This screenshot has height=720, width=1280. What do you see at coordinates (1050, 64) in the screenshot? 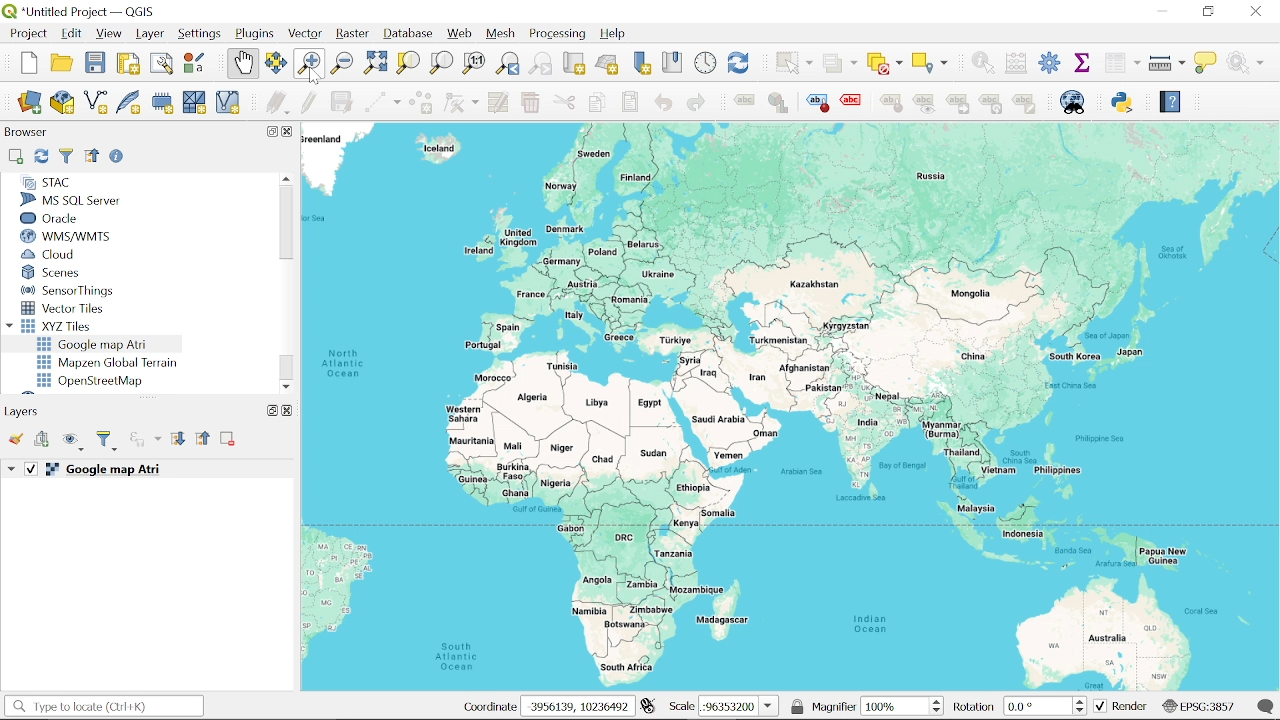
I see `Settings` at bounding box center [1050, 64].